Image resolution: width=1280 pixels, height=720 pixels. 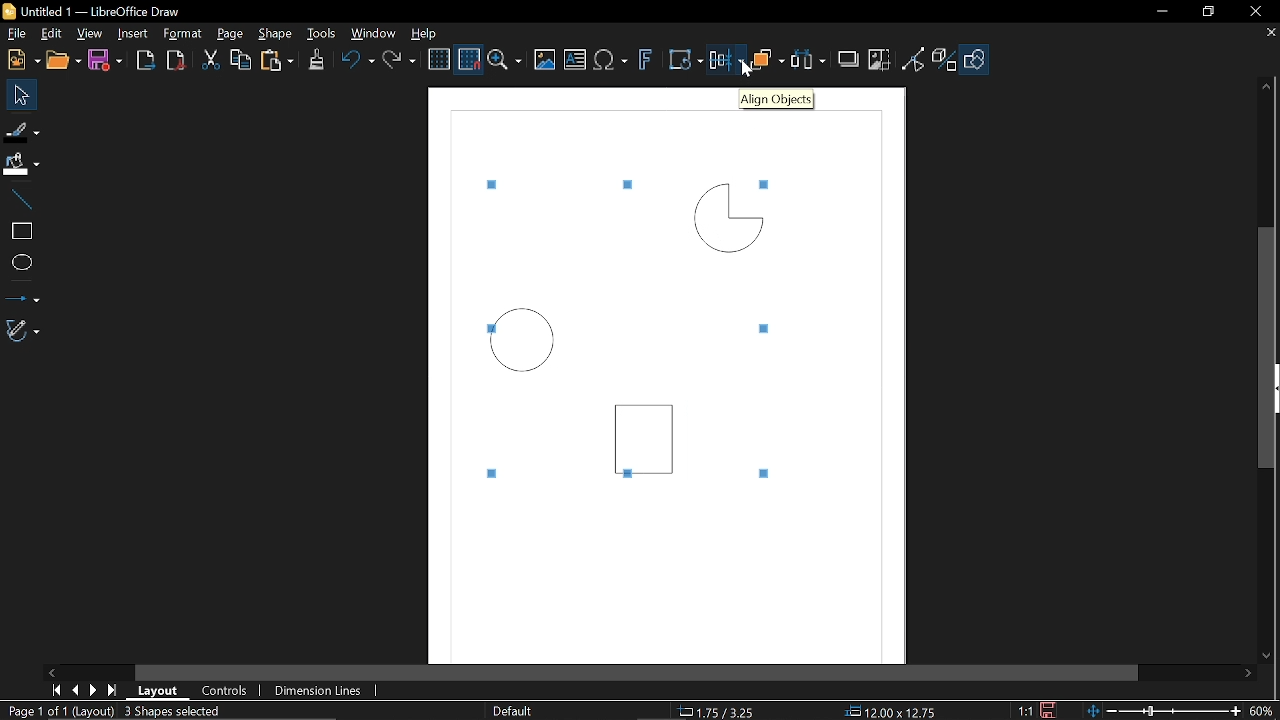 What do you see at coordinates (52, 33) in the screenshot?
I see `Edit` at bounding box center [52, 33].